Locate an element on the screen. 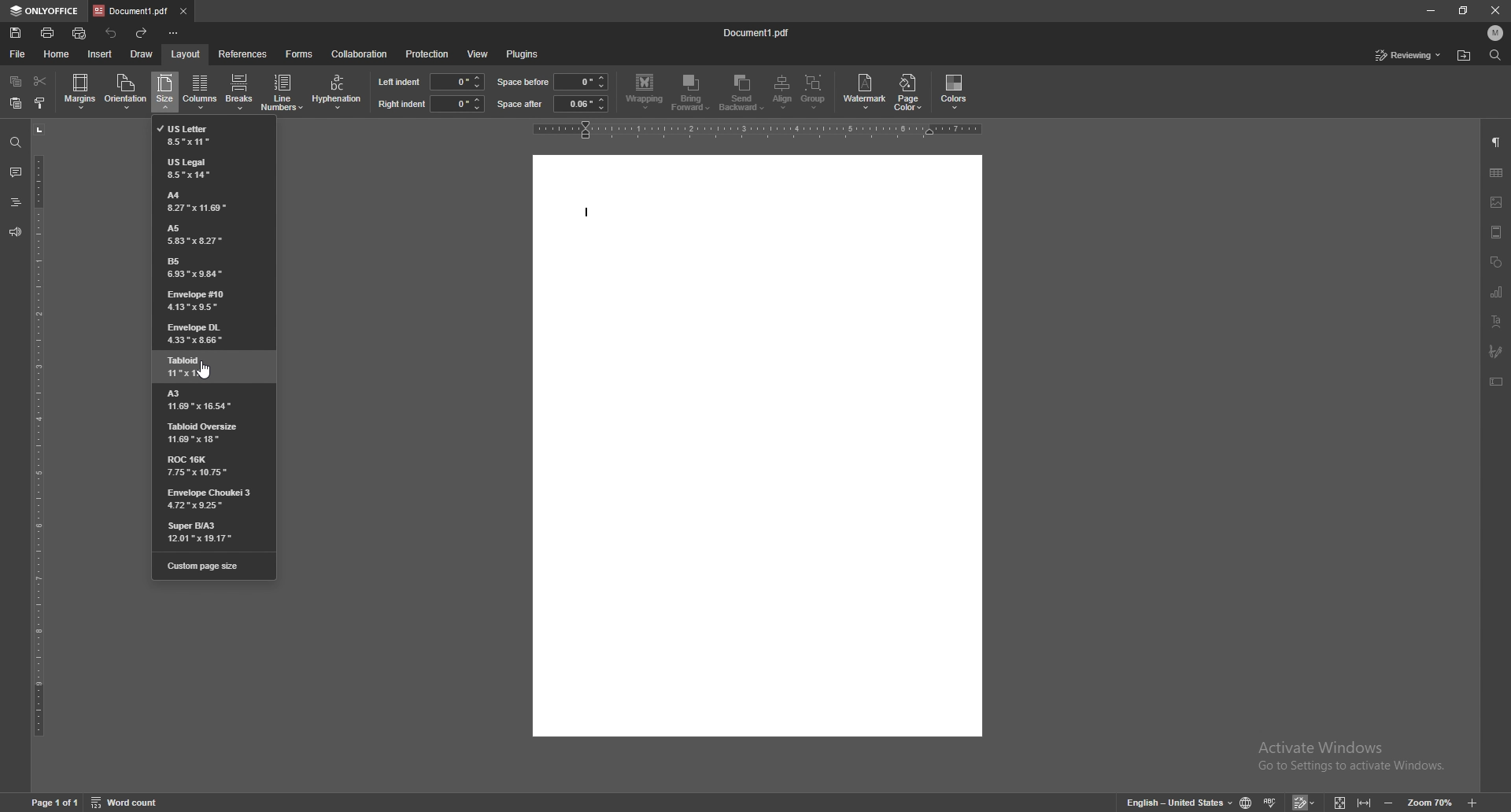 This screenshot has width=1511, height=812. custom page size is located at coordinates (214, 564).